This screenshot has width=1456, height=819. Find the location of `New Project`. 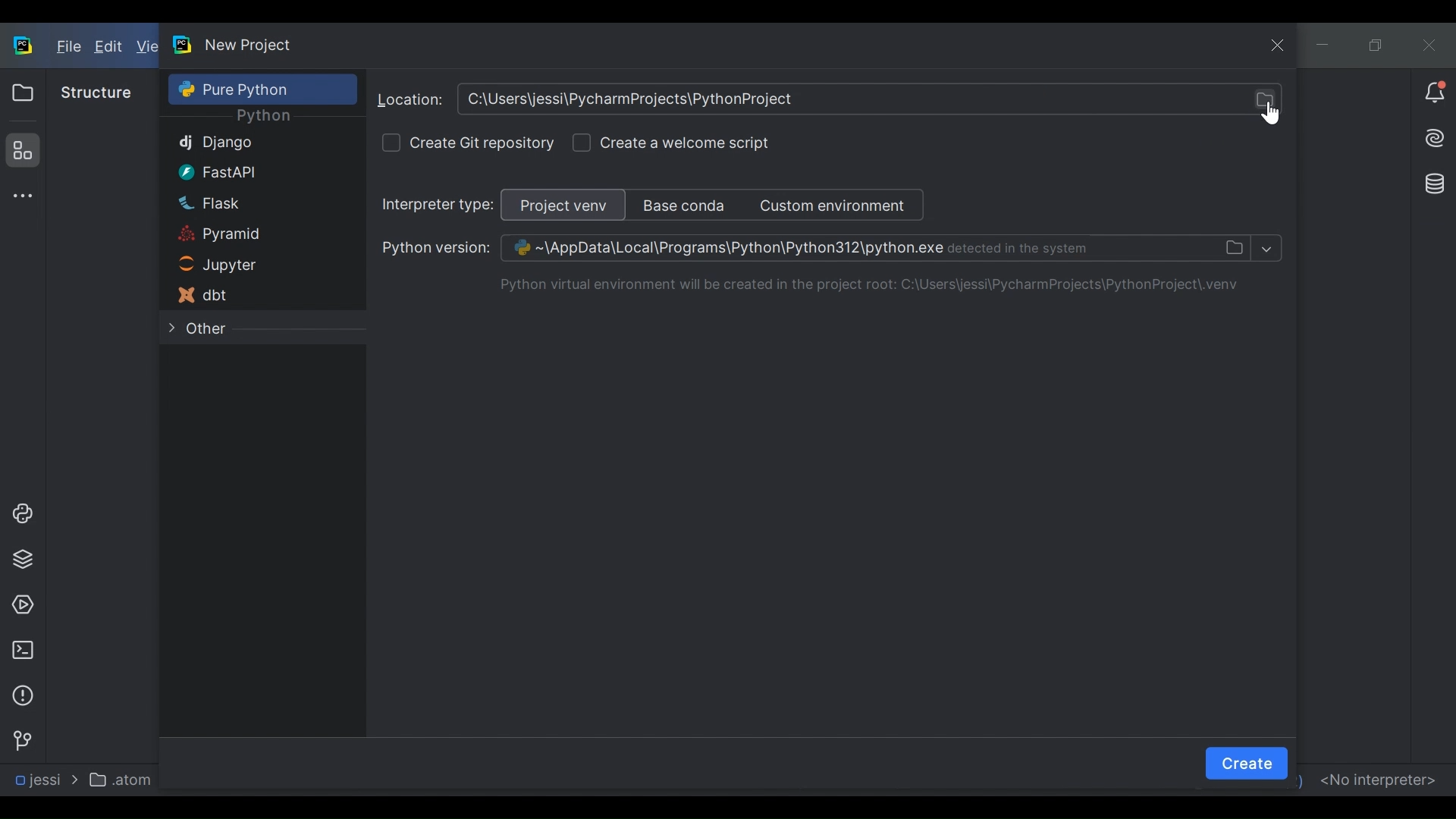

New Project is located at coordinates (249, 45).